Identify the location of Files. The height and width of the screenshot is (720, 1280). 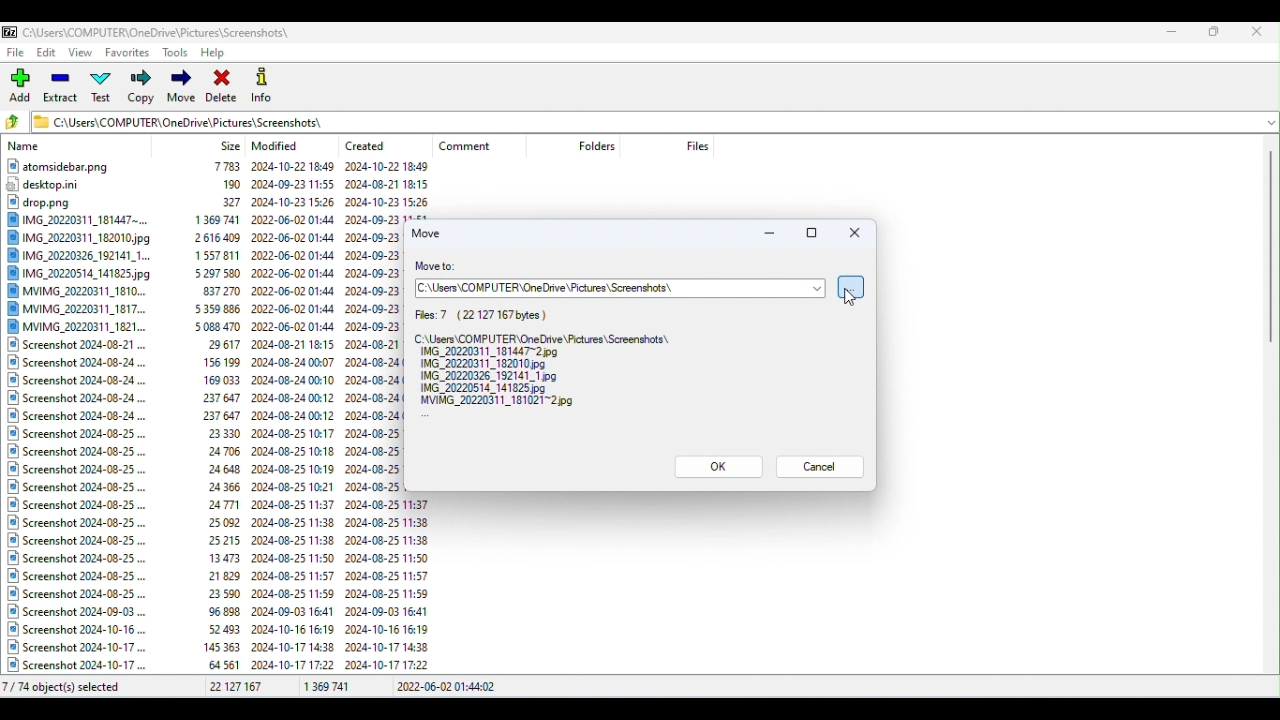
(549, 358).